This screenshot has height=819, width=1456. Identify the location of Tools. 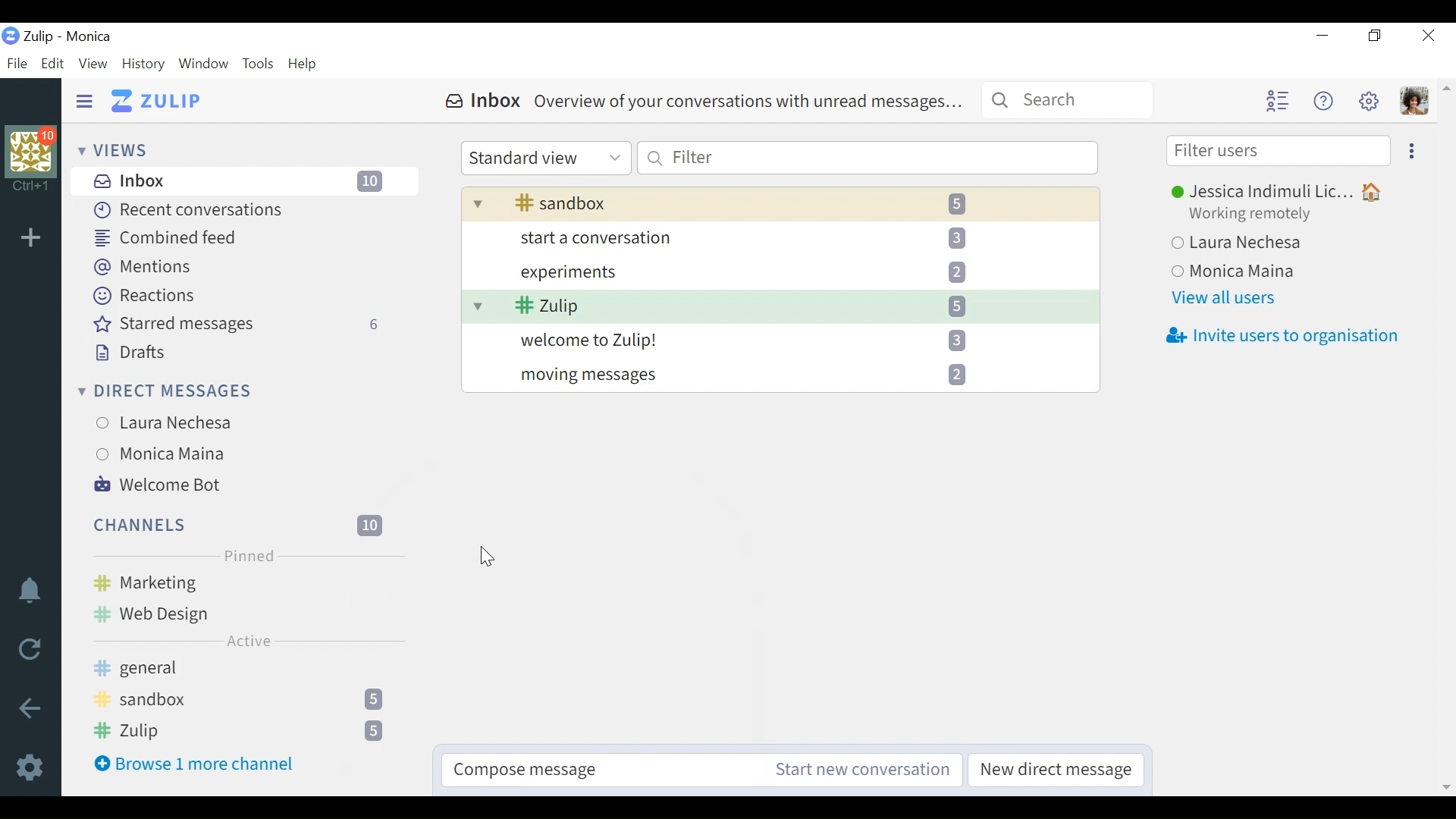
(259, 64).